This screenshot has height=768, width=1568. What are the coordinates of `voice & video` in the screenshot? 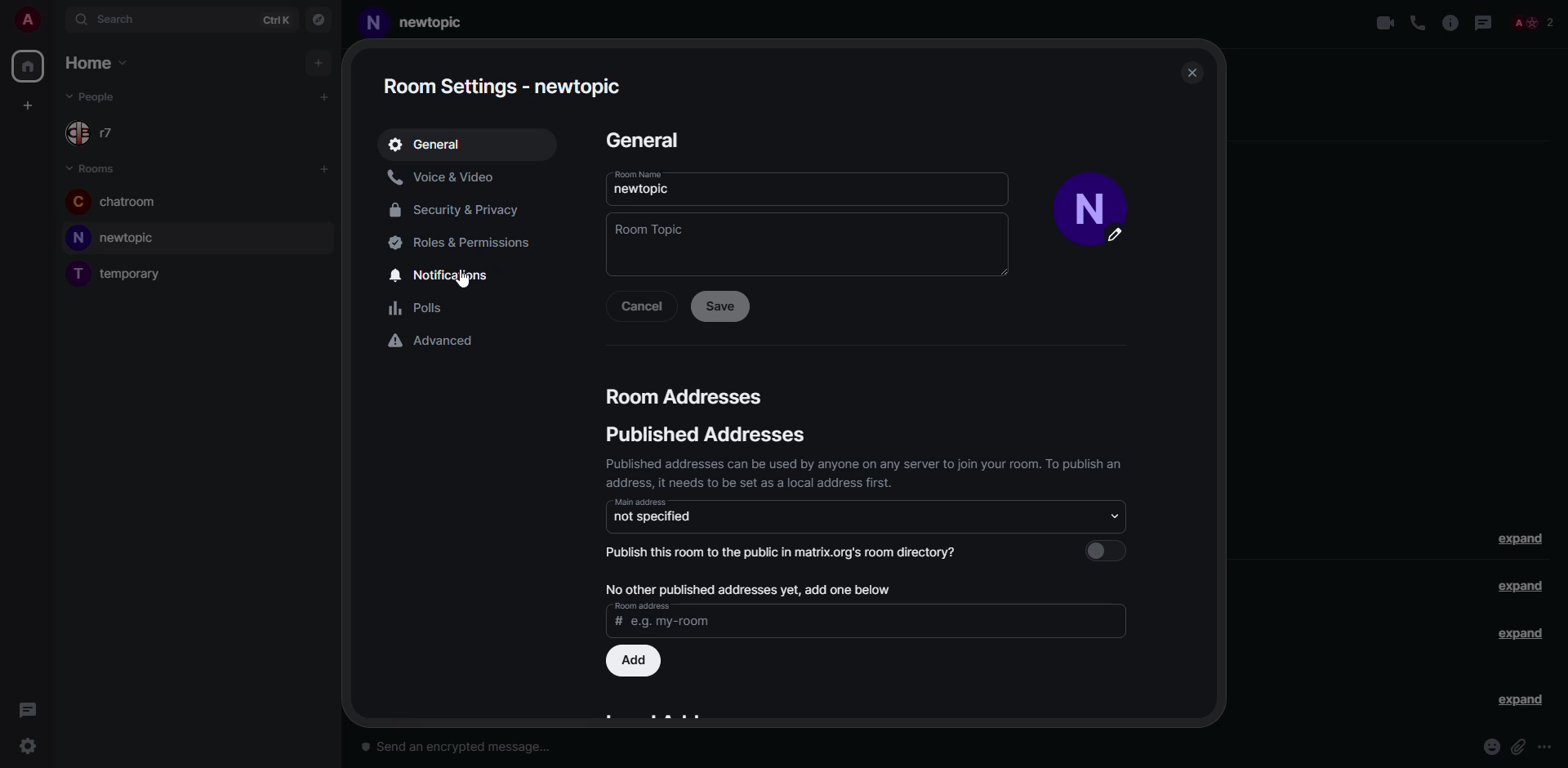 It's located at (447, 176).